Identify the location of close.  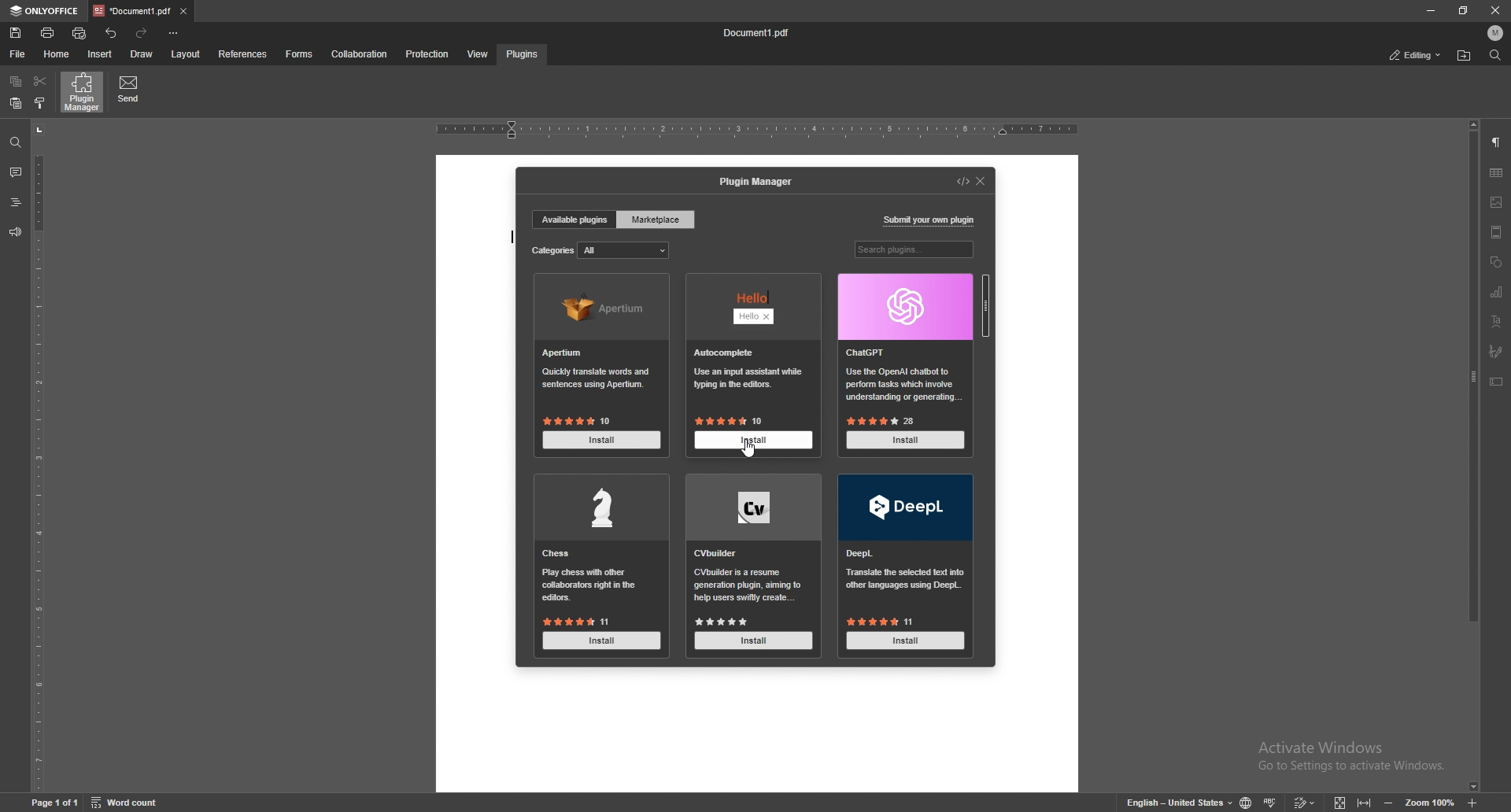
(1495, 11).